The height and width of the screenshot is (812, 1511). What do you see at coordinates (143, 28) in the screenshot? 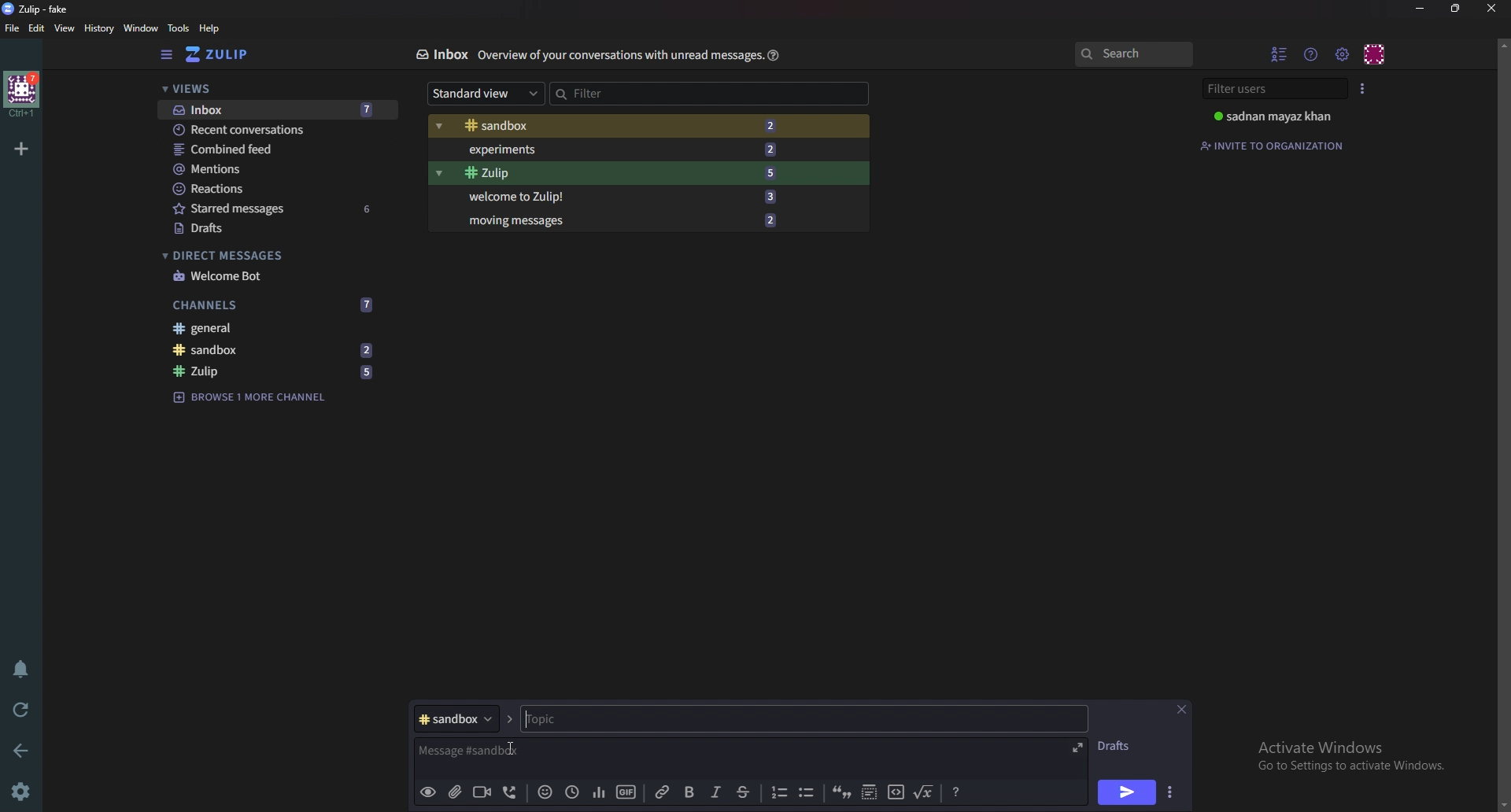
I see `Window` at bounding box center [143, 28].